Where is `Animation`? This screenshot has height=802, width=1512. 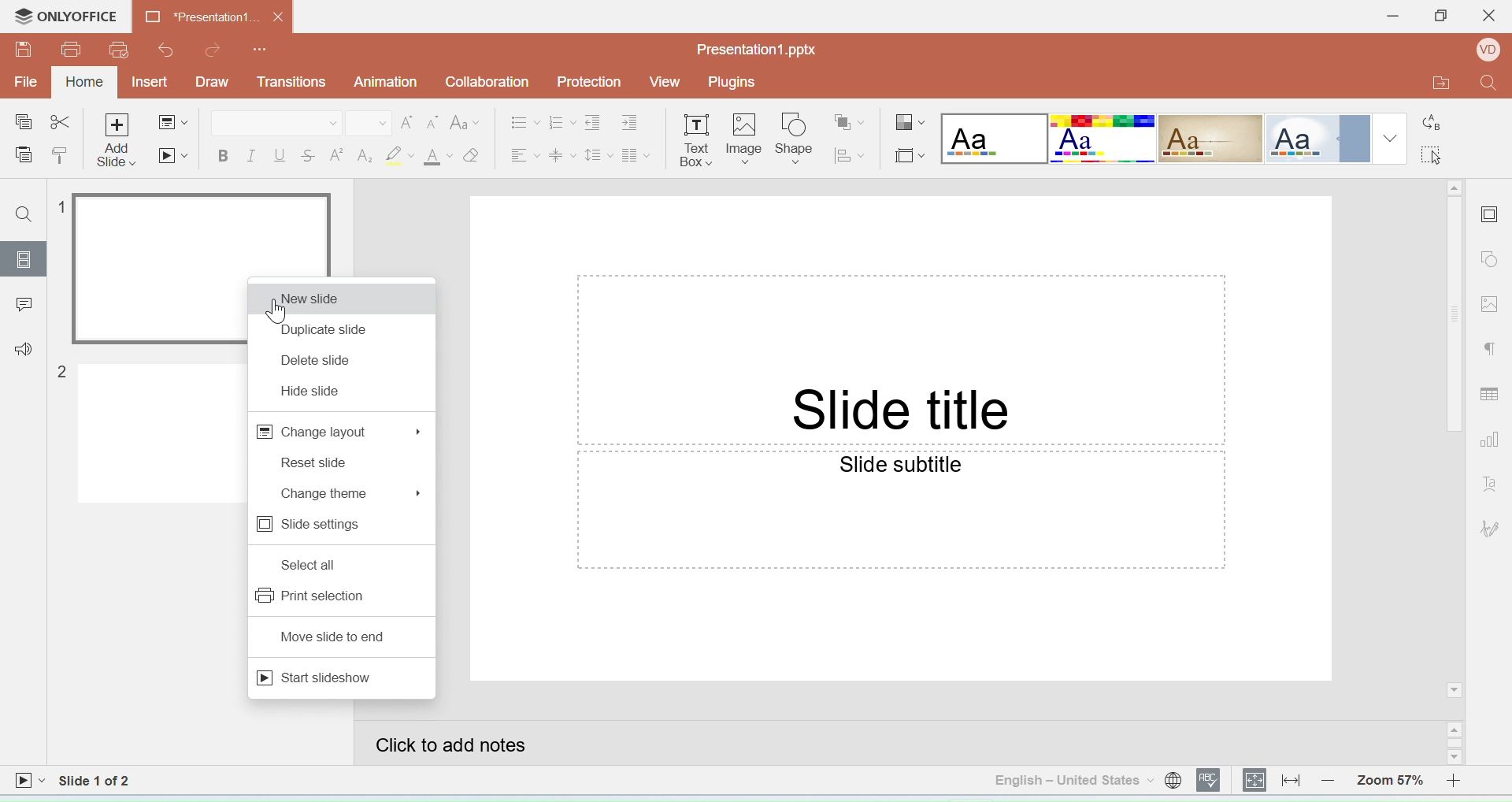
Animation is located at coordinates (387, 82).